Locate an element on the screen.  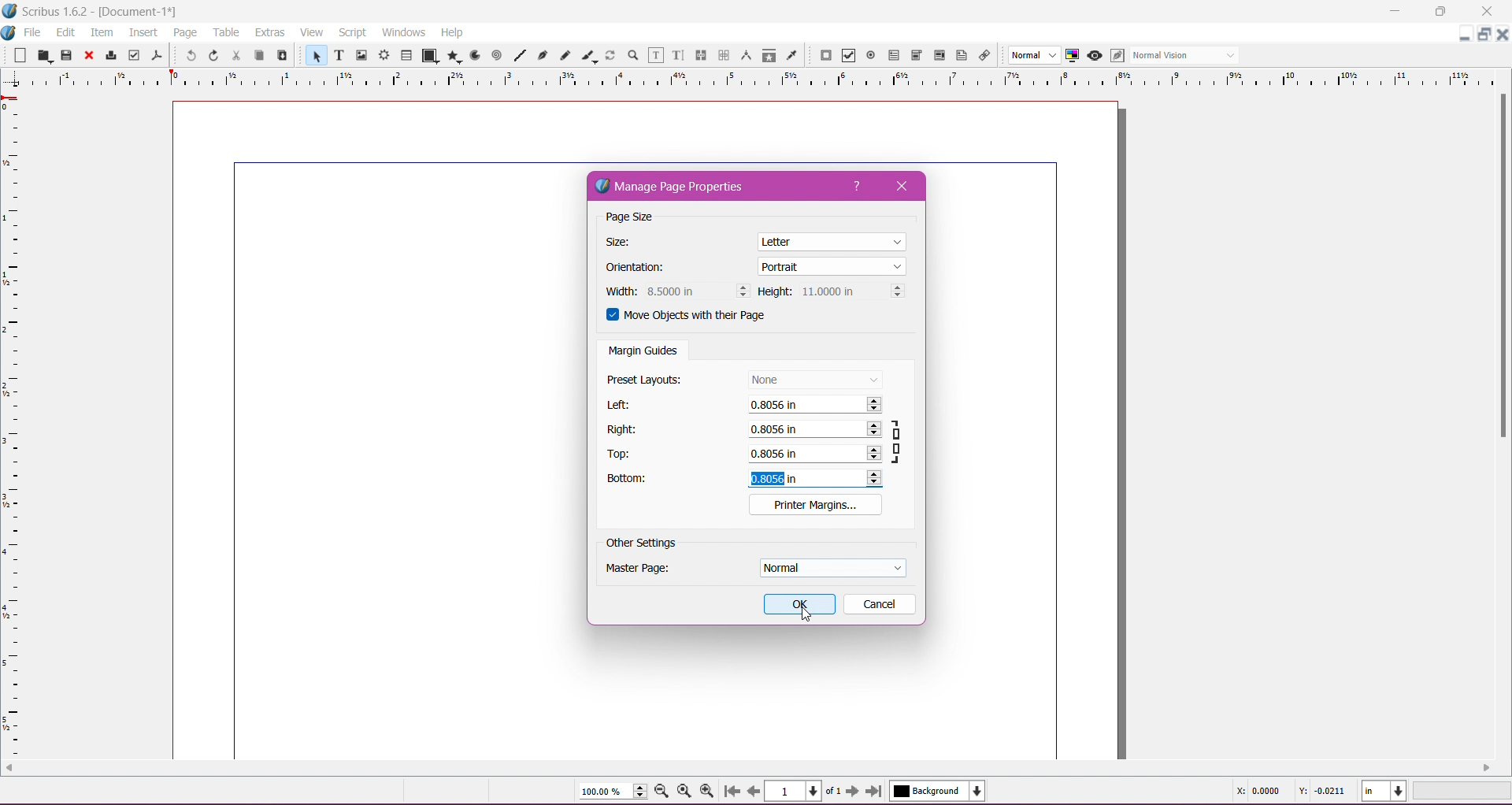
Restore Down is located at coordinates (1439, 12).